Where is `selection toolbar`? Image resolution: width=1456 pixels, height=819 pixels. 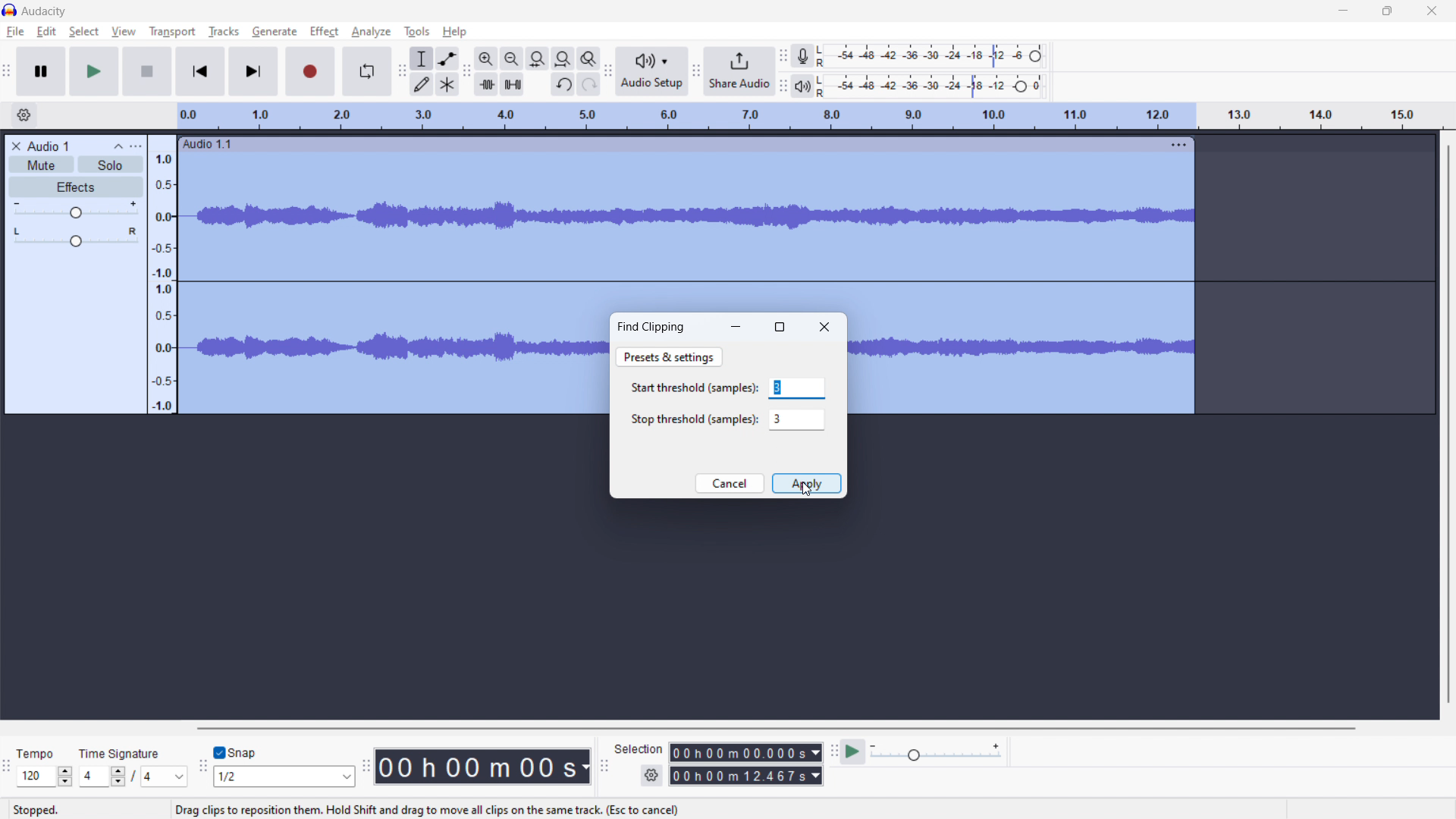
selection toolbar is located at coordinates (604, 765).